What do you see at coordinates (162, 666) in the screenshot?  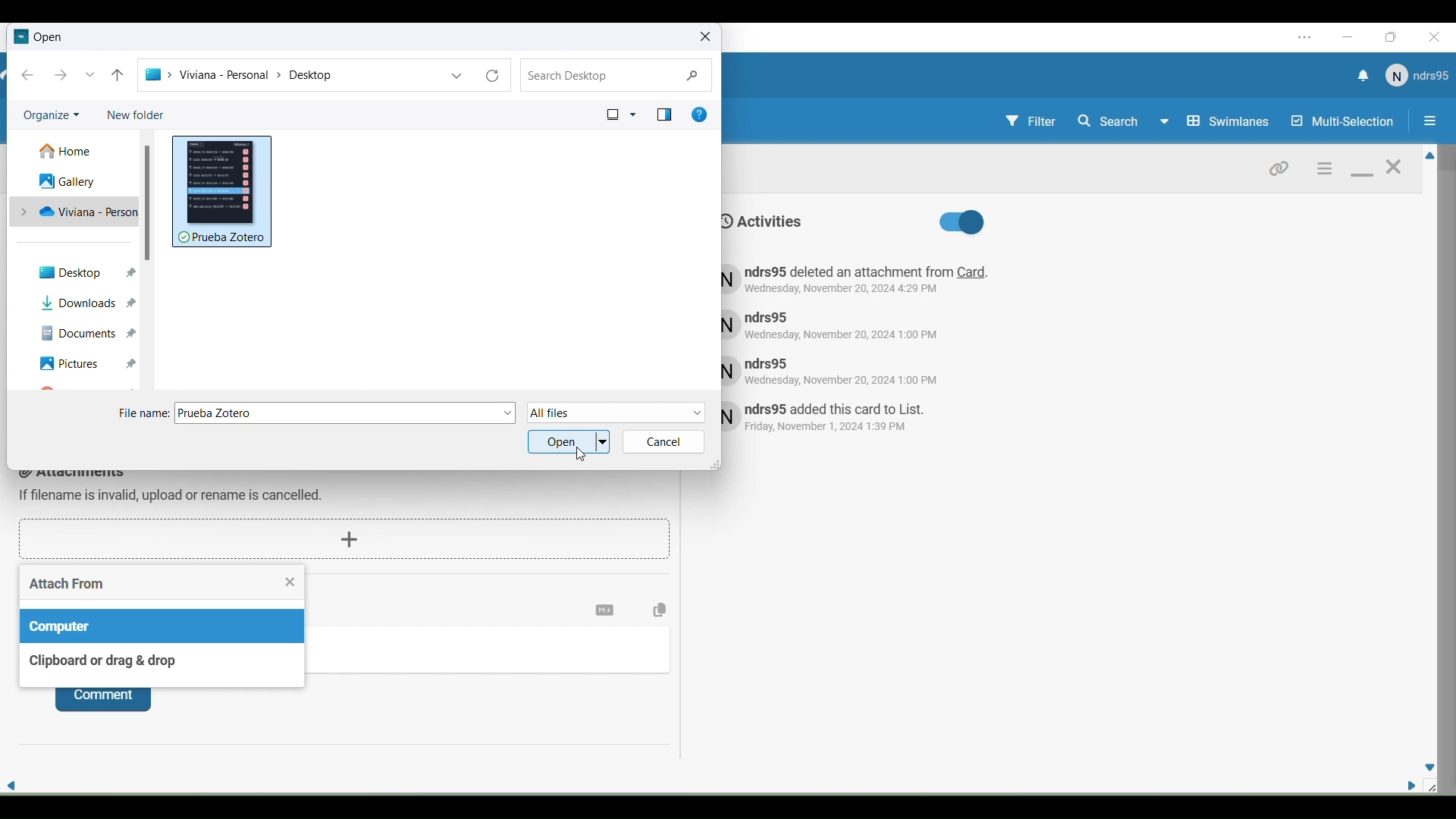 I see `Clipboard or drag & drop` at bounding box center [162, 666].